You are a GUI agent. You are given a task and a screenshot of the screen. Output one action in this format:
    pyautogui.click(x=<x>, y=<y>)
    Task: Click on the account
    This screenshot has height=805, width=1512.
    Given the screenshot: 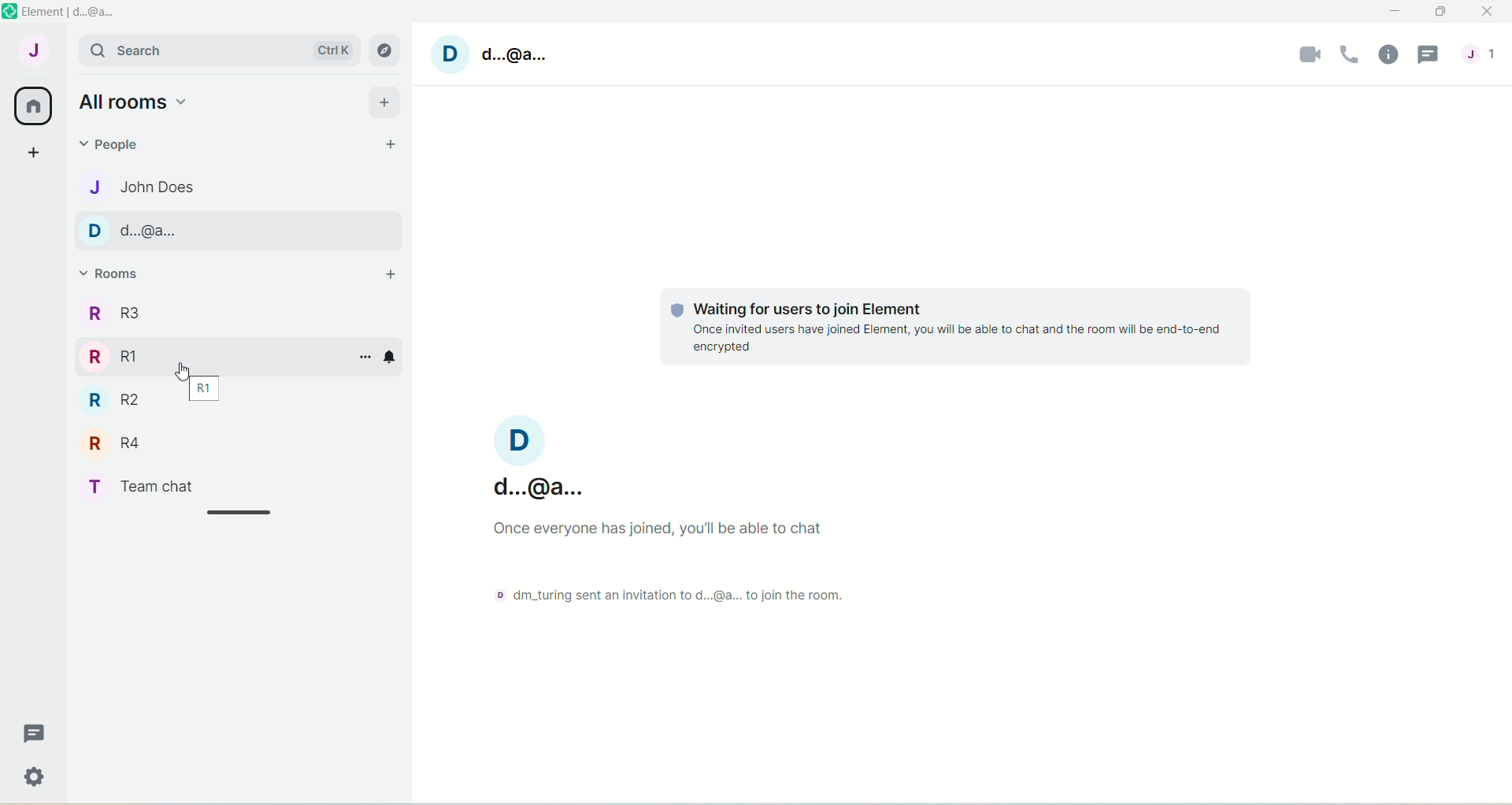 What is the action you would take?
    pyautogui.click(x=497, y=54)
    